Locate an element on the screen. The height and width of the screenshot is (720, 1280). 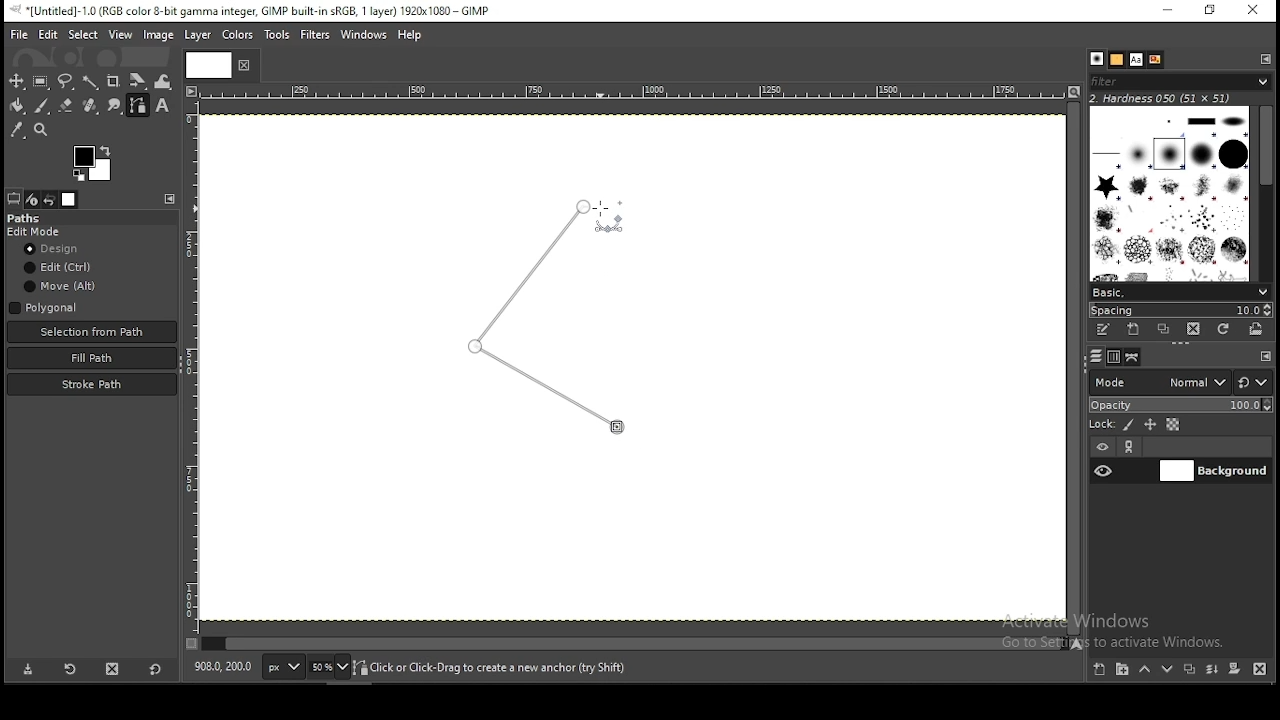
layers is located at coordinates (1097, 356).